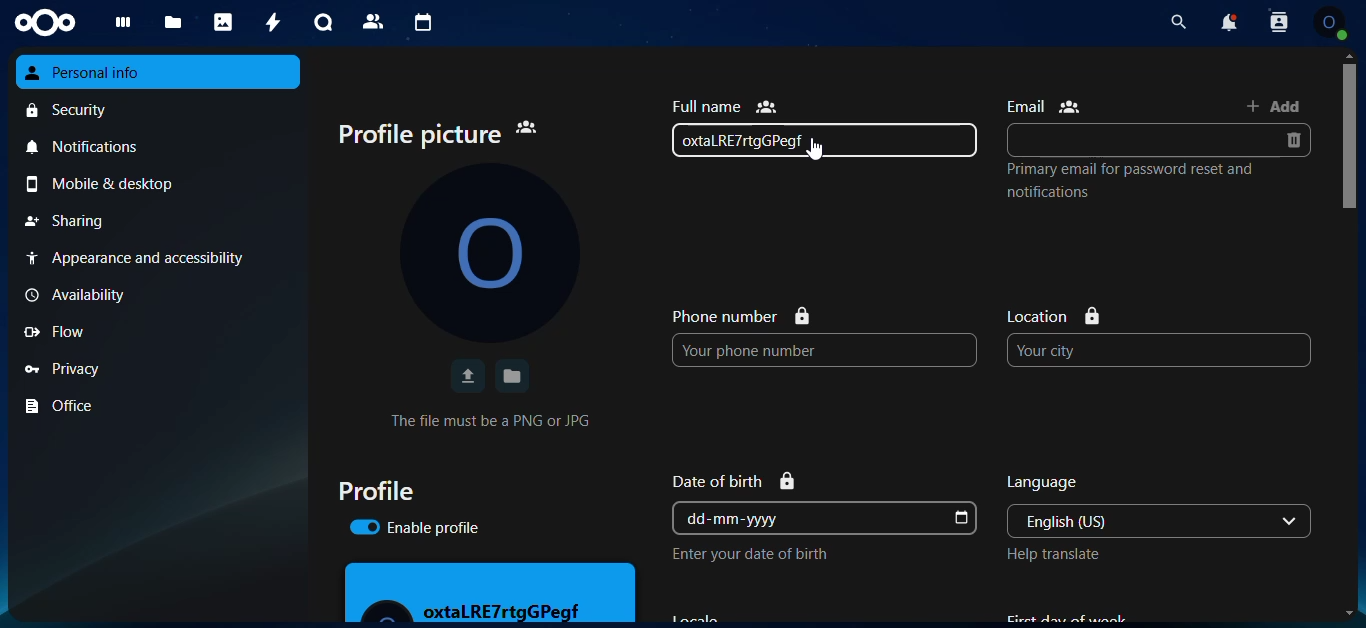 This screenshot has width=1366, height=628. Describe the element at coordinates (1044, 106) in the screenshot. I see `email` at that location.